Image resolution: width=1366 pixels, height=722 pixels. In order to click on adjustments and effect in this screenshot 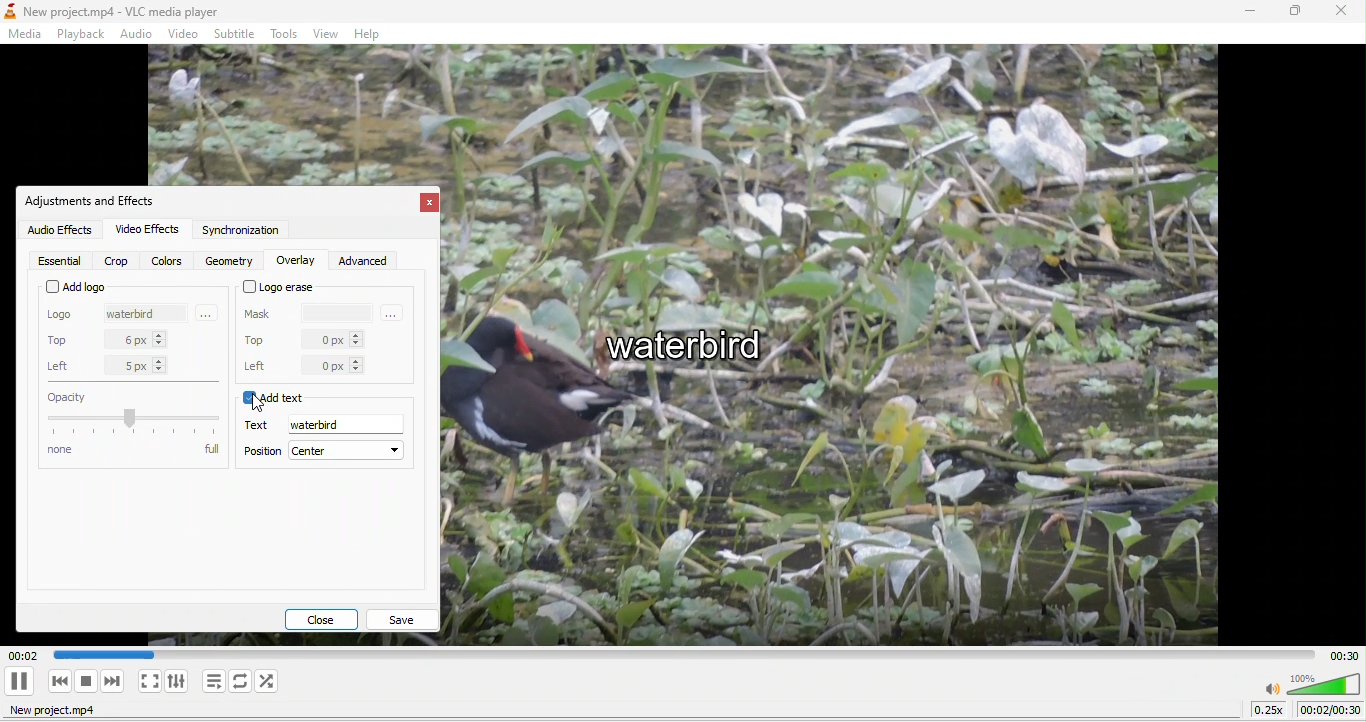, I will do `click(97, 201)`.